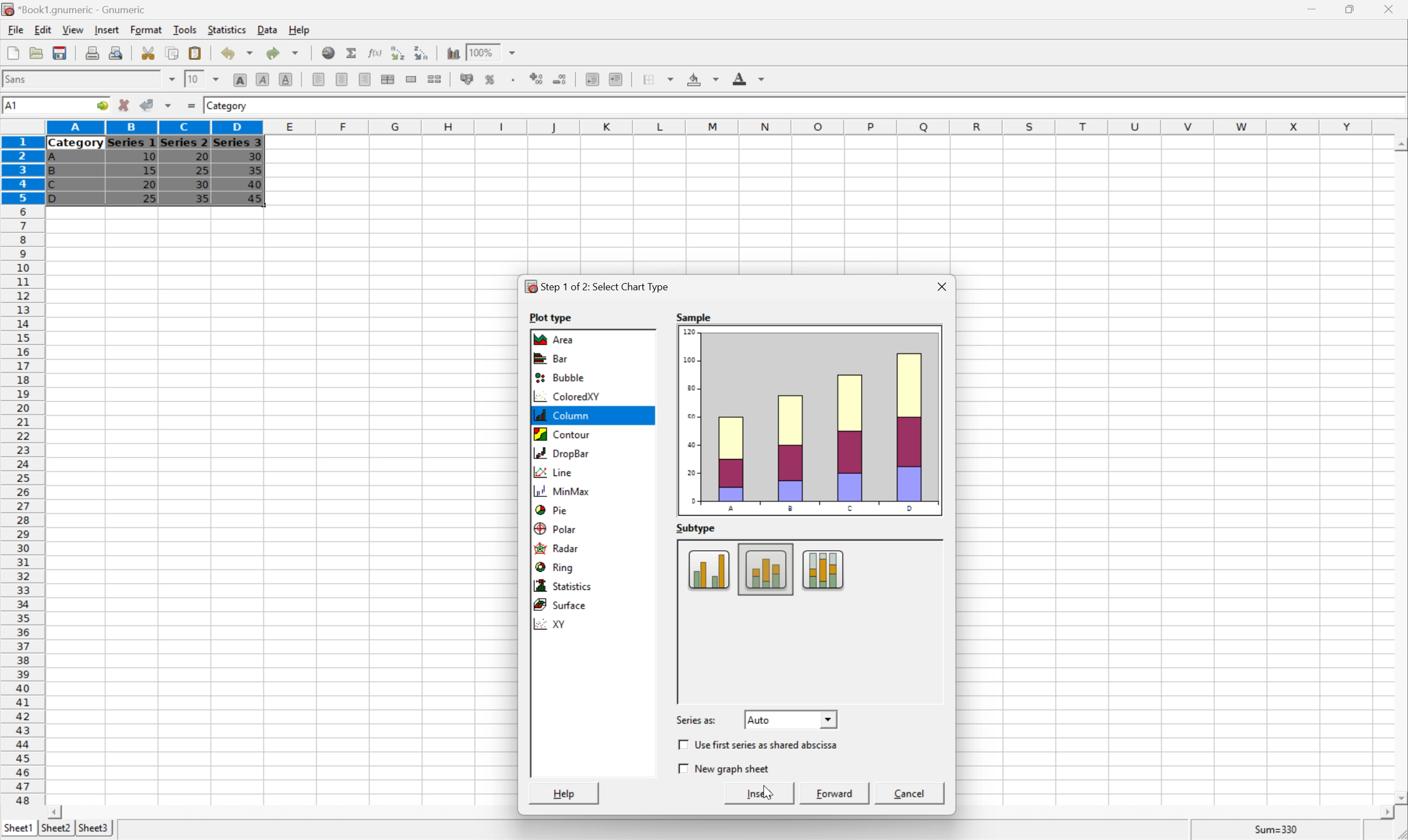  Describe the element at coordinates (482, 52) in the screenshot. I see `100%` at that location.